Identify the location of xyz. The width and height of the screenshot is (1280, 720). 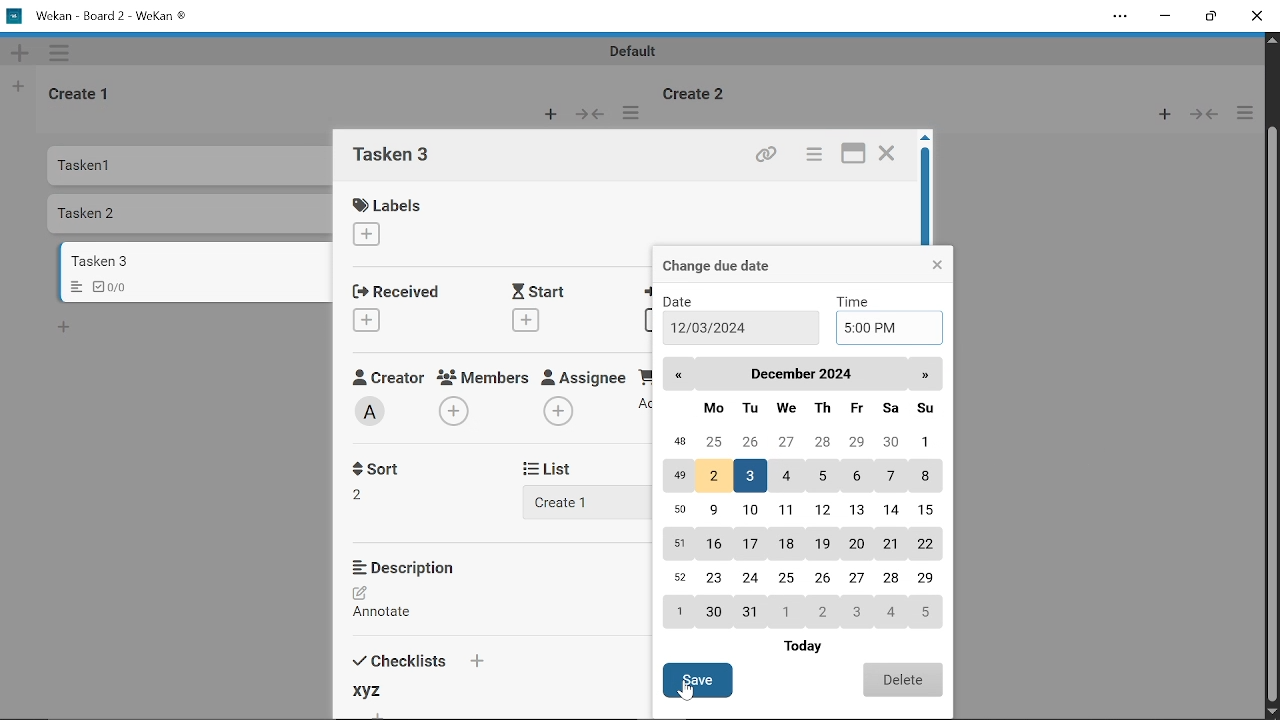
(368, 692).